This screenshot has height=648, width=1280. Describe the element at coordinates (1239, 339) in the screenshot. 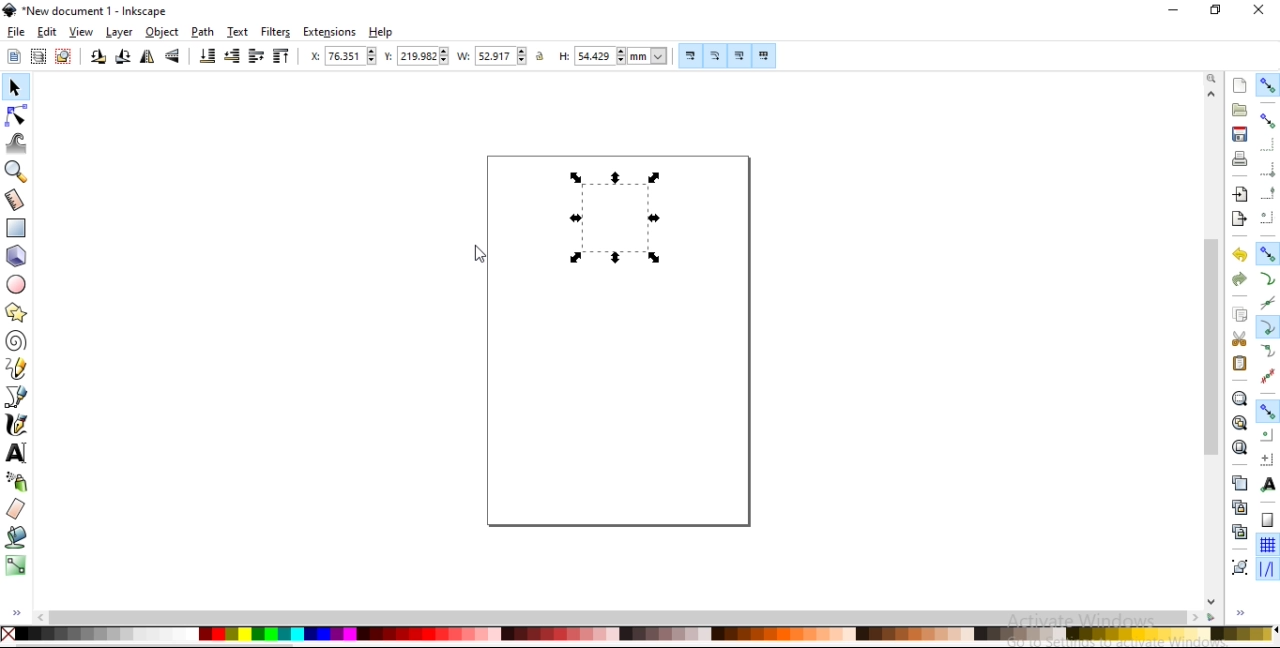

I see `cut` at that location.